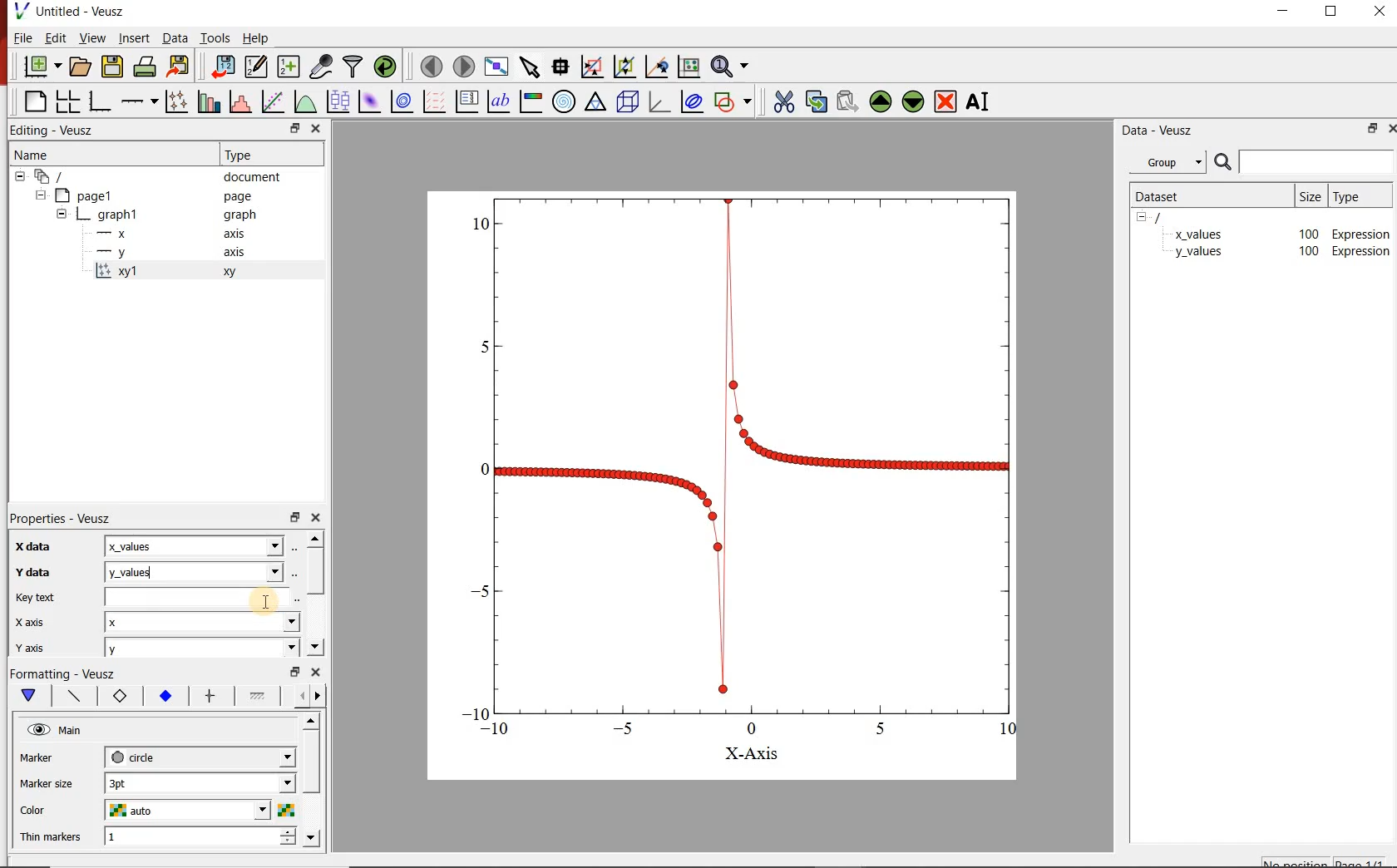 This screenshot has width=1397, height=868. What do you see at coordinates (37, 622) in the screenshot?
I see `| X axis` at bounding box center [37, 622].